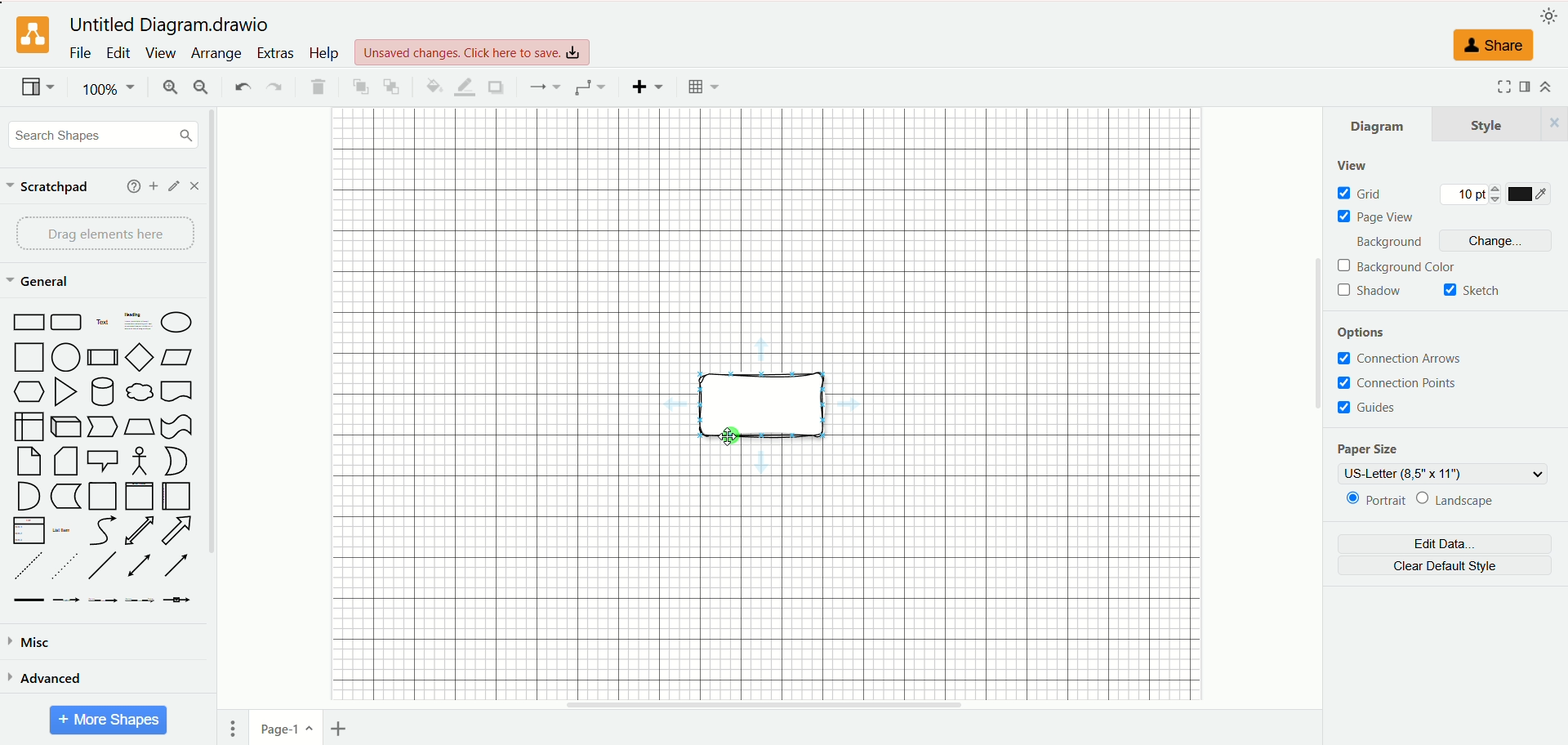  Describe the element at coordinates (495, 87) in the screenshot. I see `shadow` at that location.